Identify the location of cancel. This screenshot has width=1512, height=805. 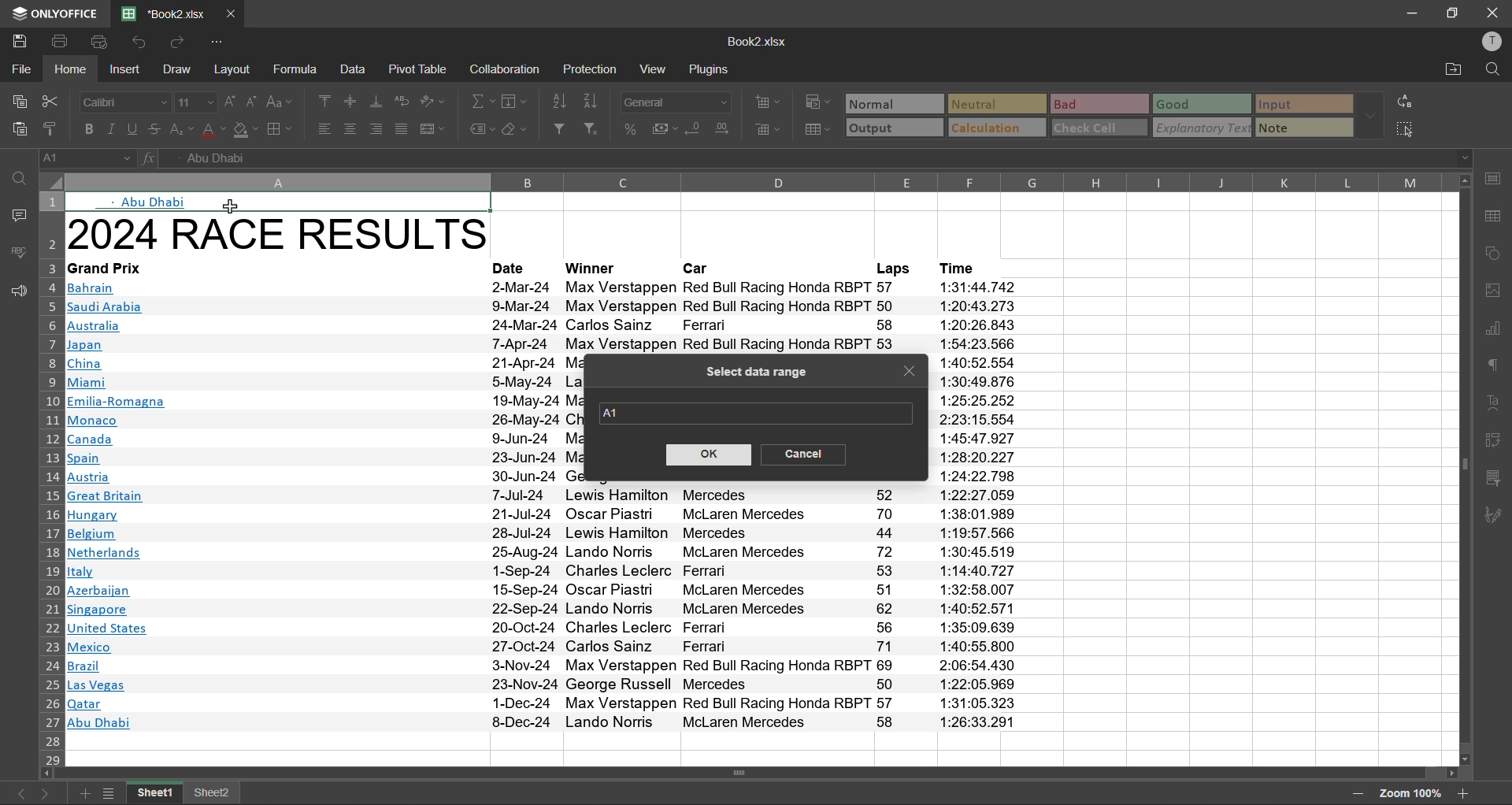
(806, 455).